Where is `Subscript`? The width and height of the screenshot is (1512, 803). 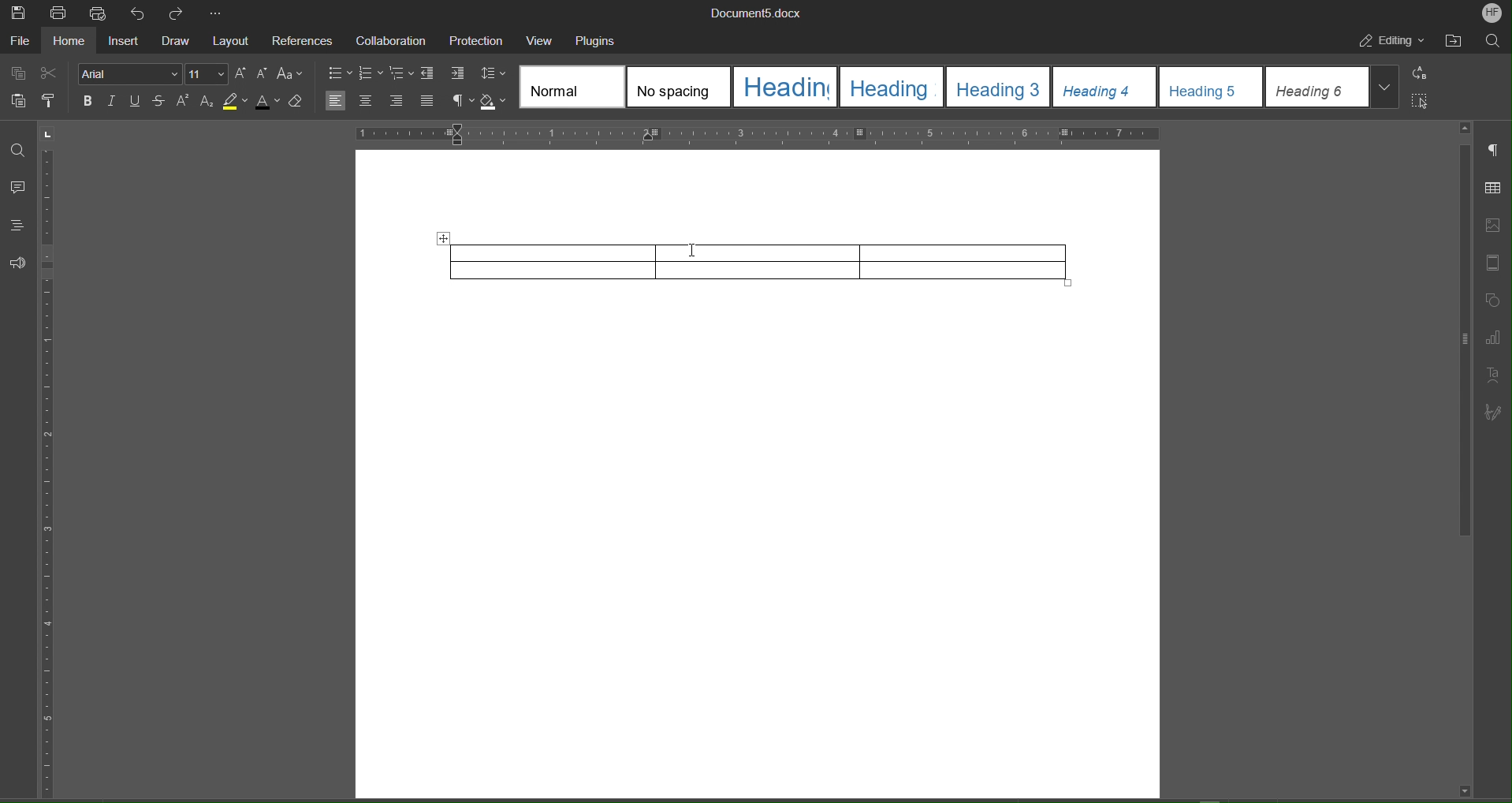 Subscript is located at coordinates (208, 102).